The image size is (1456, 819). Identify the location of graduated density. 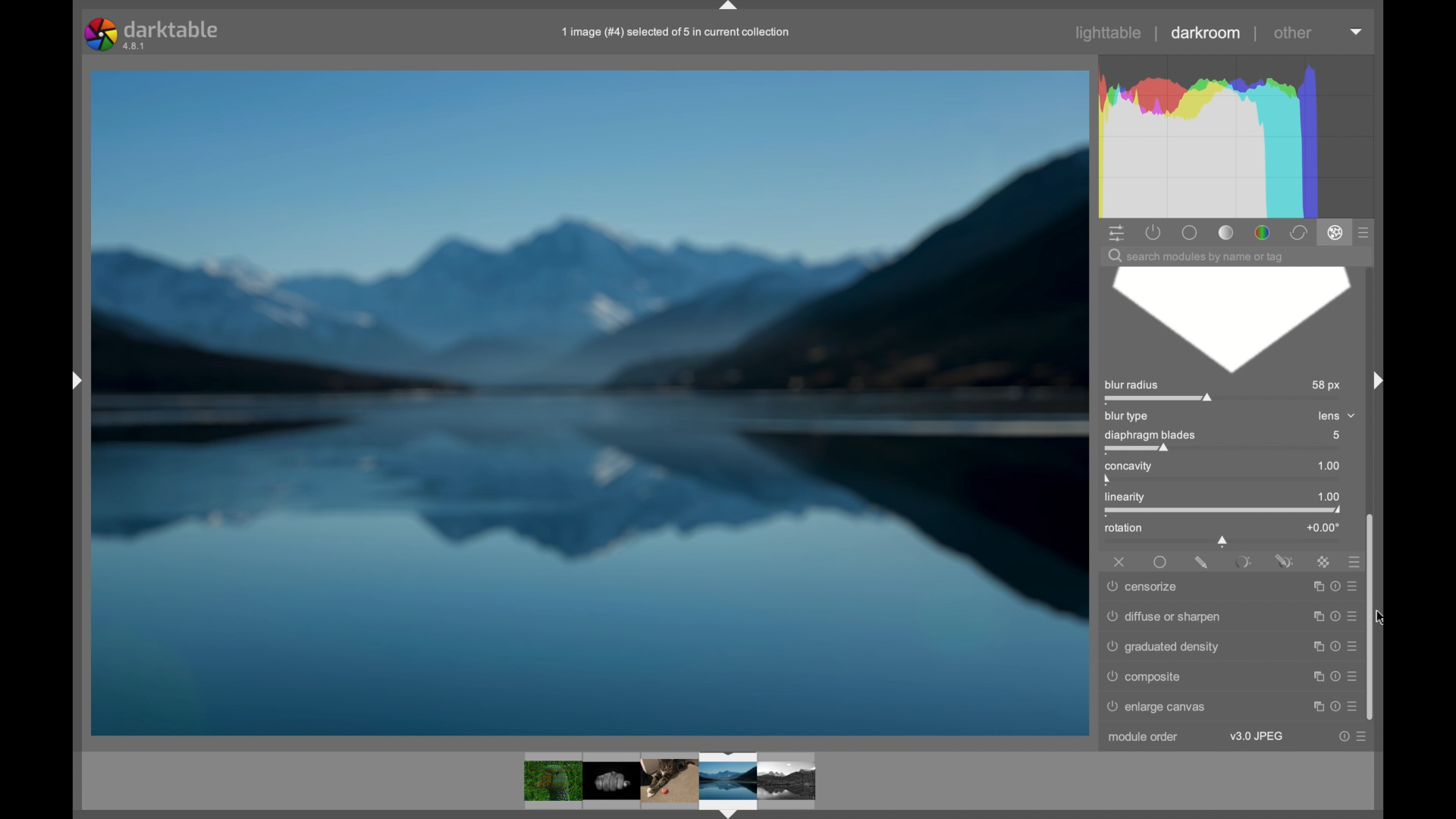
(1165, 647).